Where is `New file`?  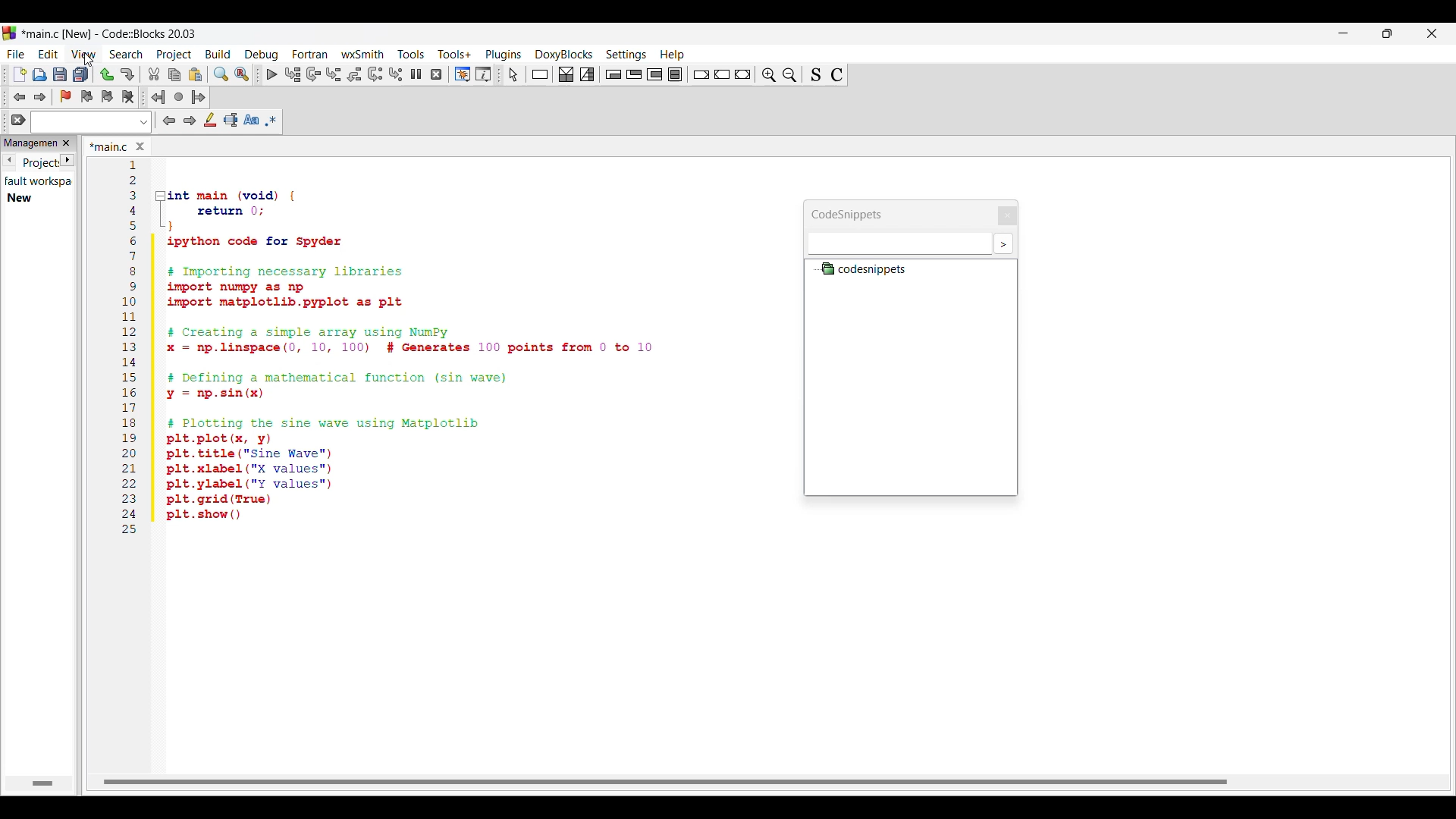
New file is located at coordinates (20, 74).